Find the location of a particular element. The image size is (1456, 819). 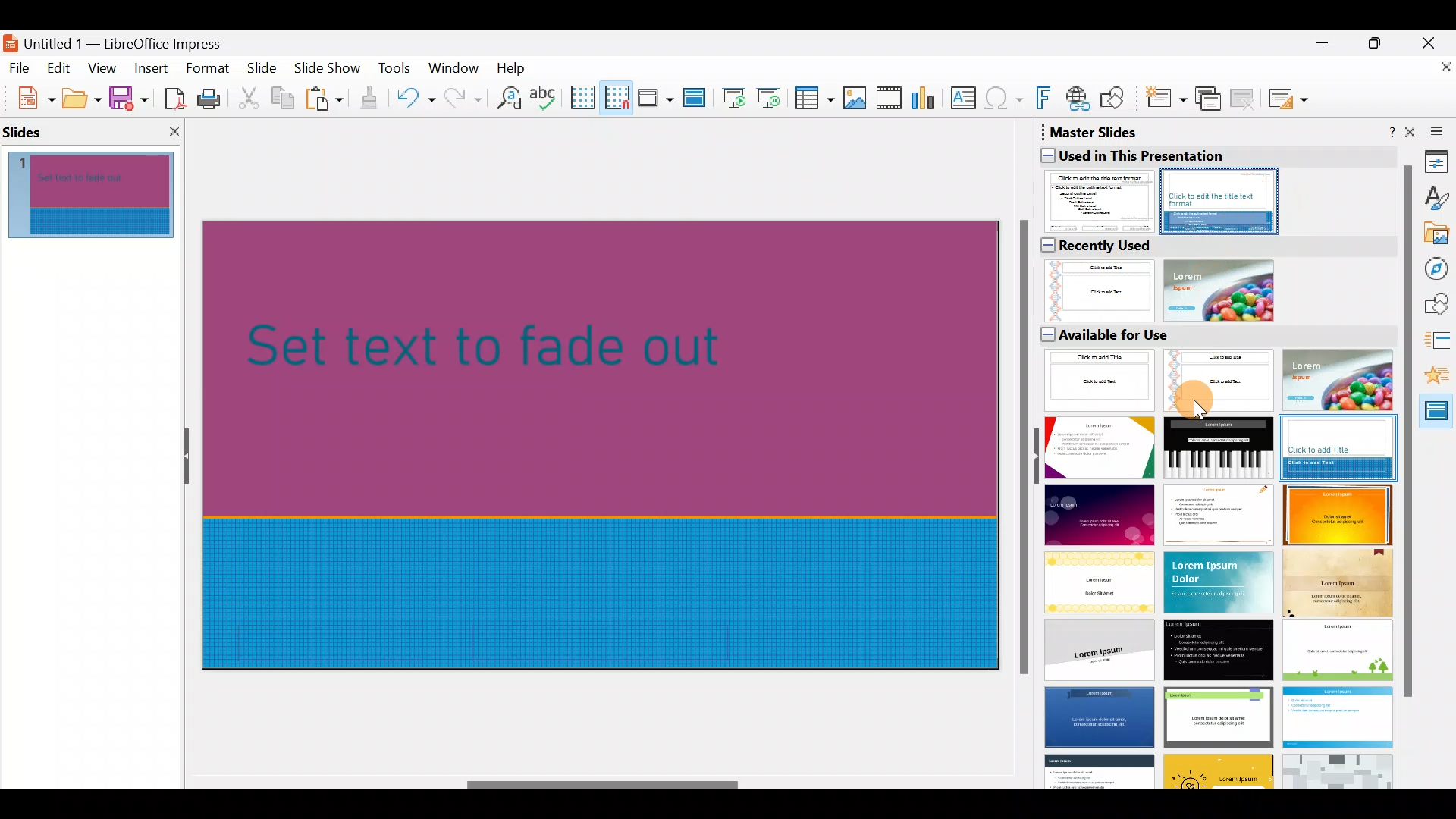

Start from first slide is located at coordinates (734, 96).